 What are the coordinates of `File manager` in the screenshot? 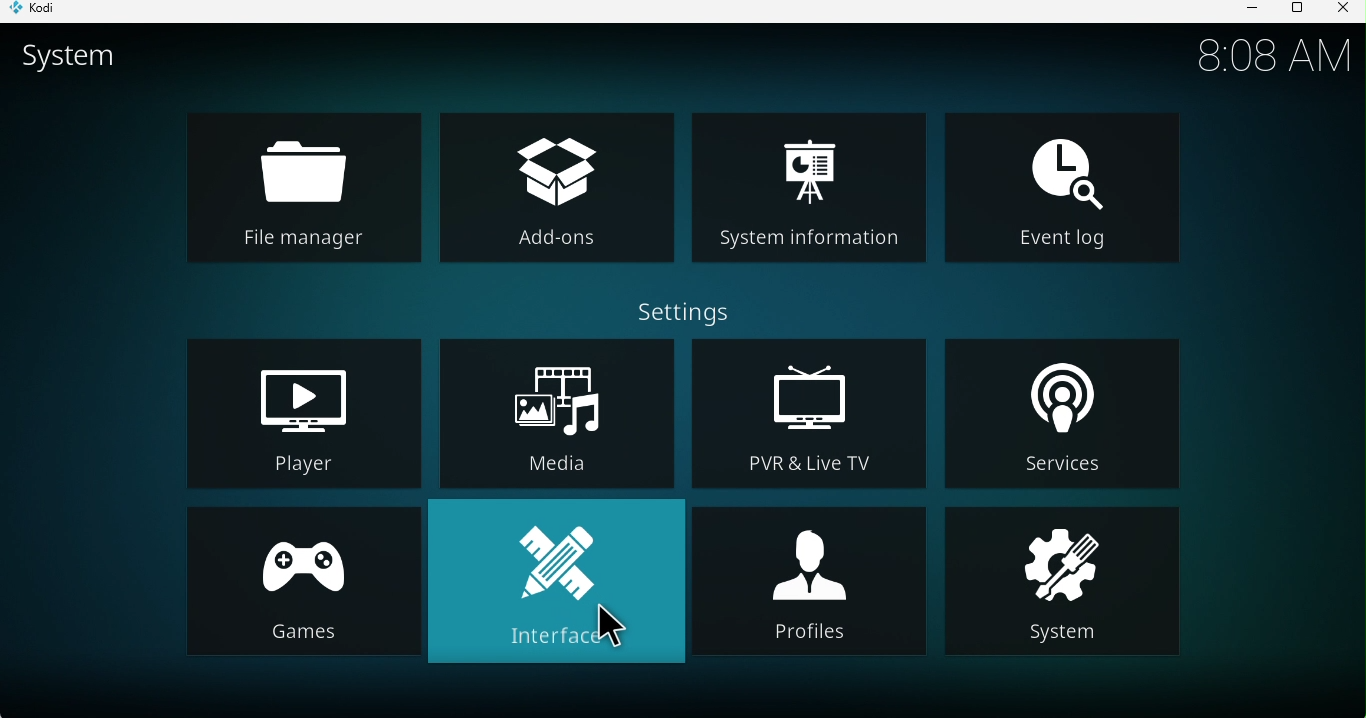 It's located at (307, 187).